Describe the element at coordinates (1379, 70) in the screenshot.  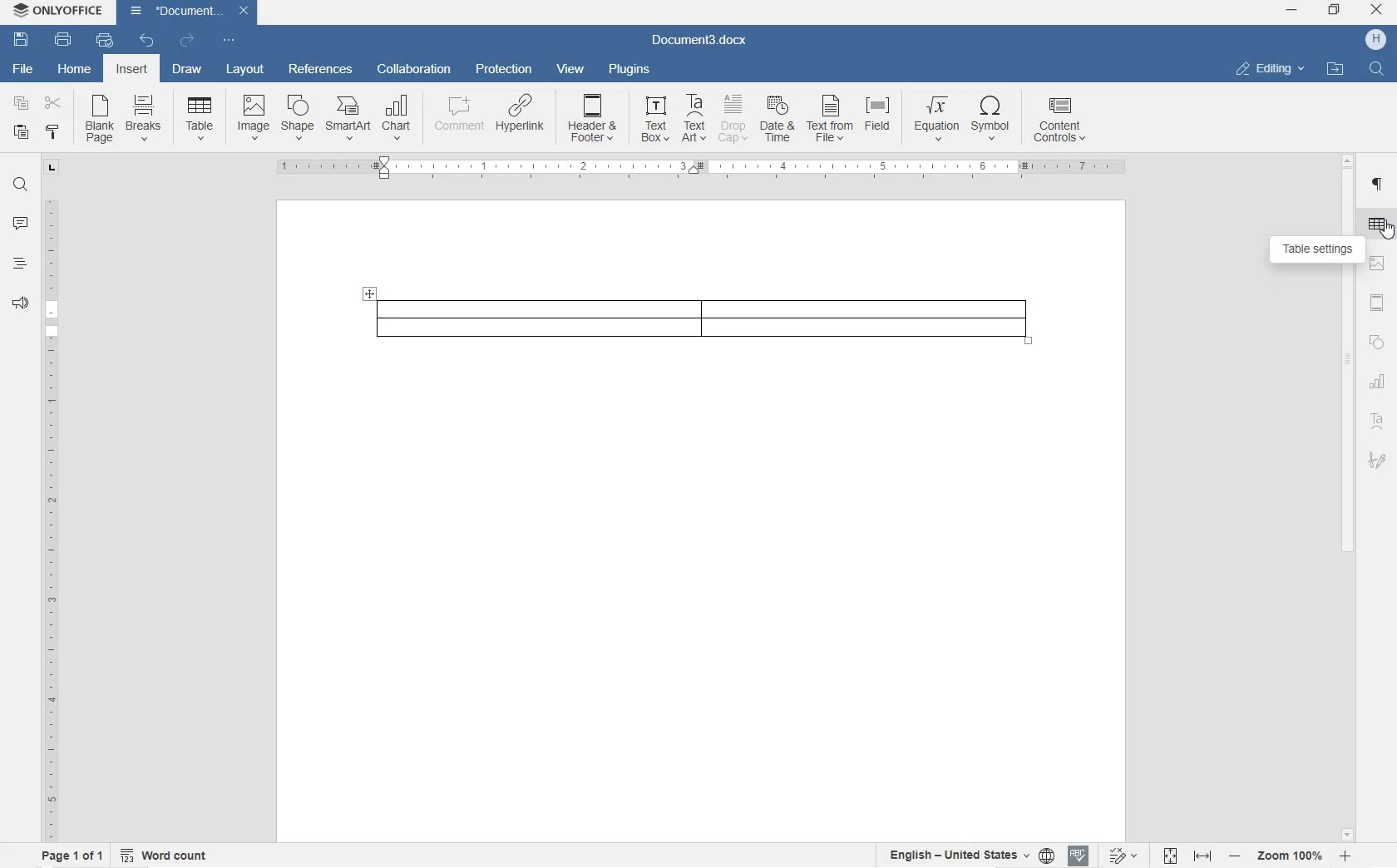
I see `find` at that location.